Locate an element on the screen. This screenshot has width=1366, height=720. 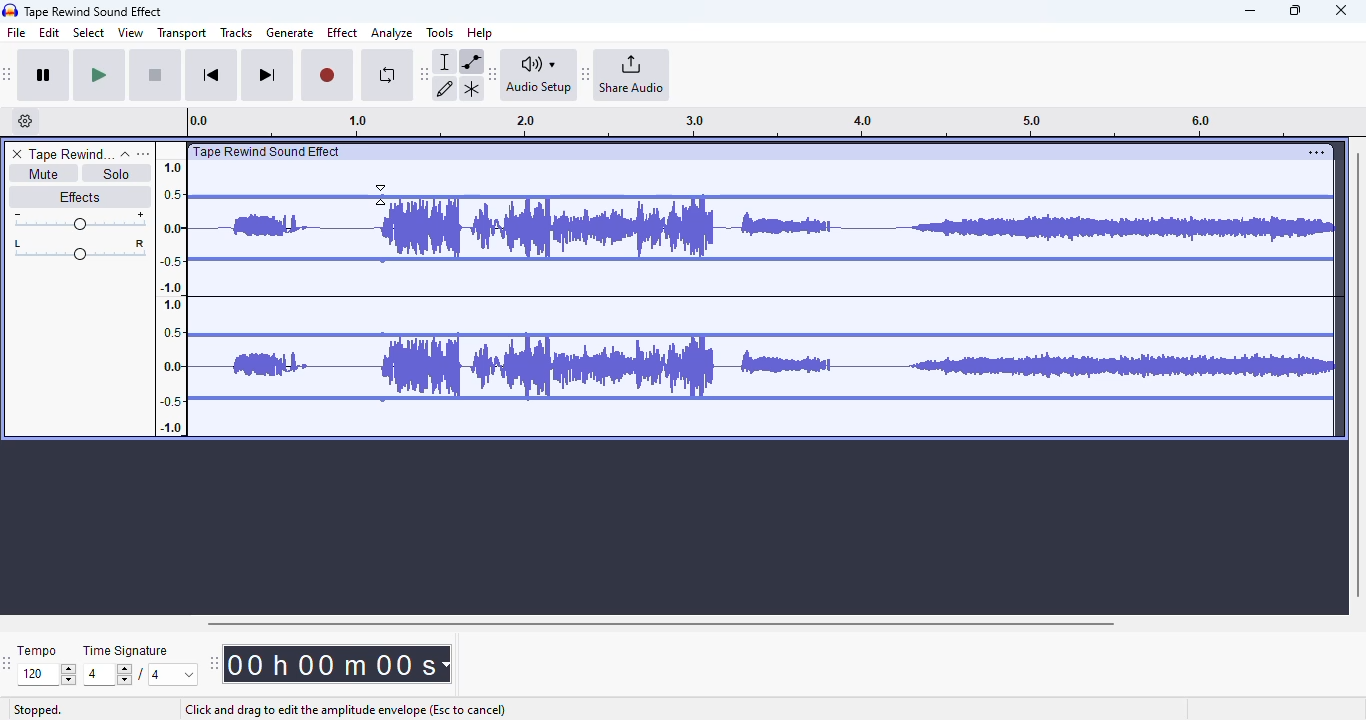
Move audacity tools toolbar is located at coordinates (425, 73).